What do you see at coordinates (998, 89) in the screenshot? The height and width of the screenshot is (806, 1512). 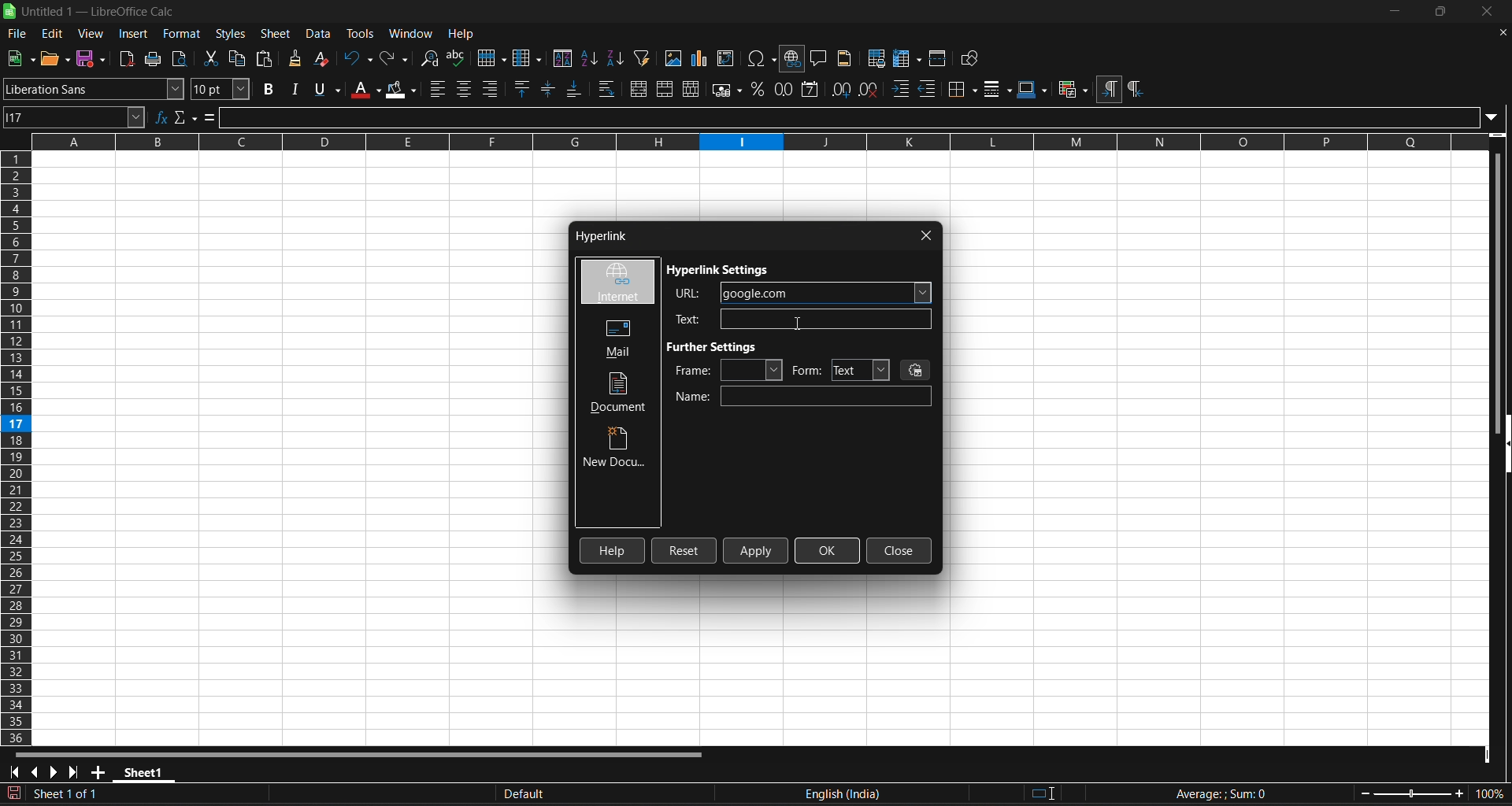 I see `border styles` at bounding box center [998, 89].